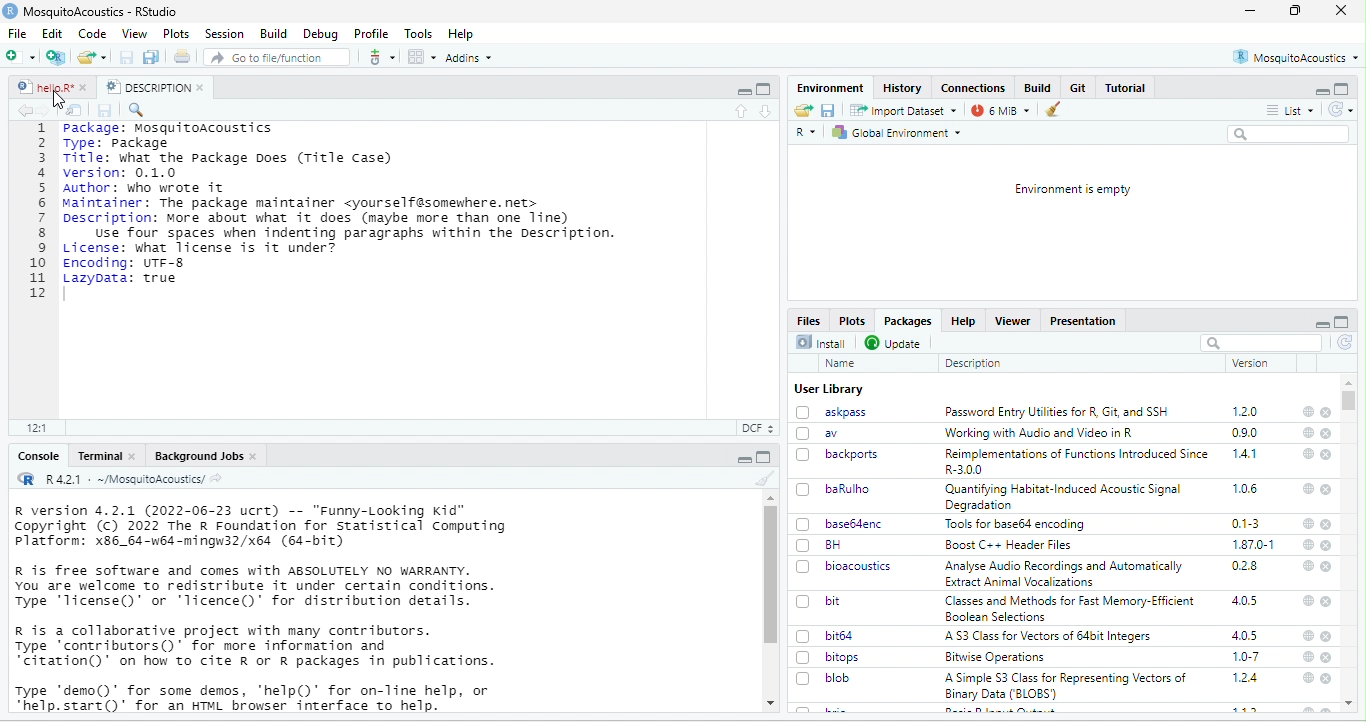 This screenshot has height=722, width=1366. Describe the element at coordinates (993, 658) in the screenshot. I see `Bitwise Operations` at that location.